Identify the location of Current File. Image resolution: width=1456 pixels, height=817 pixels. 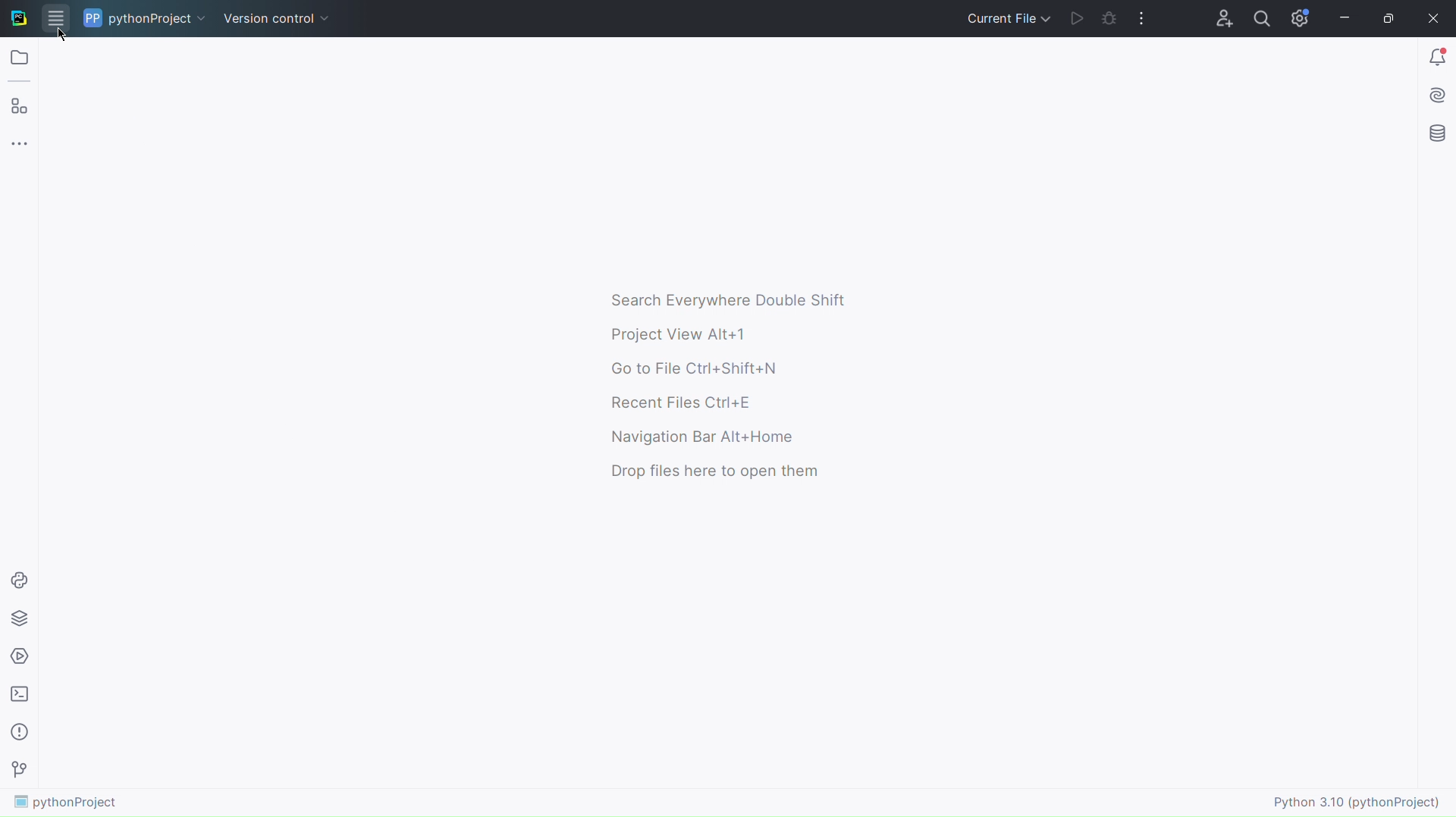
(1006, 18).